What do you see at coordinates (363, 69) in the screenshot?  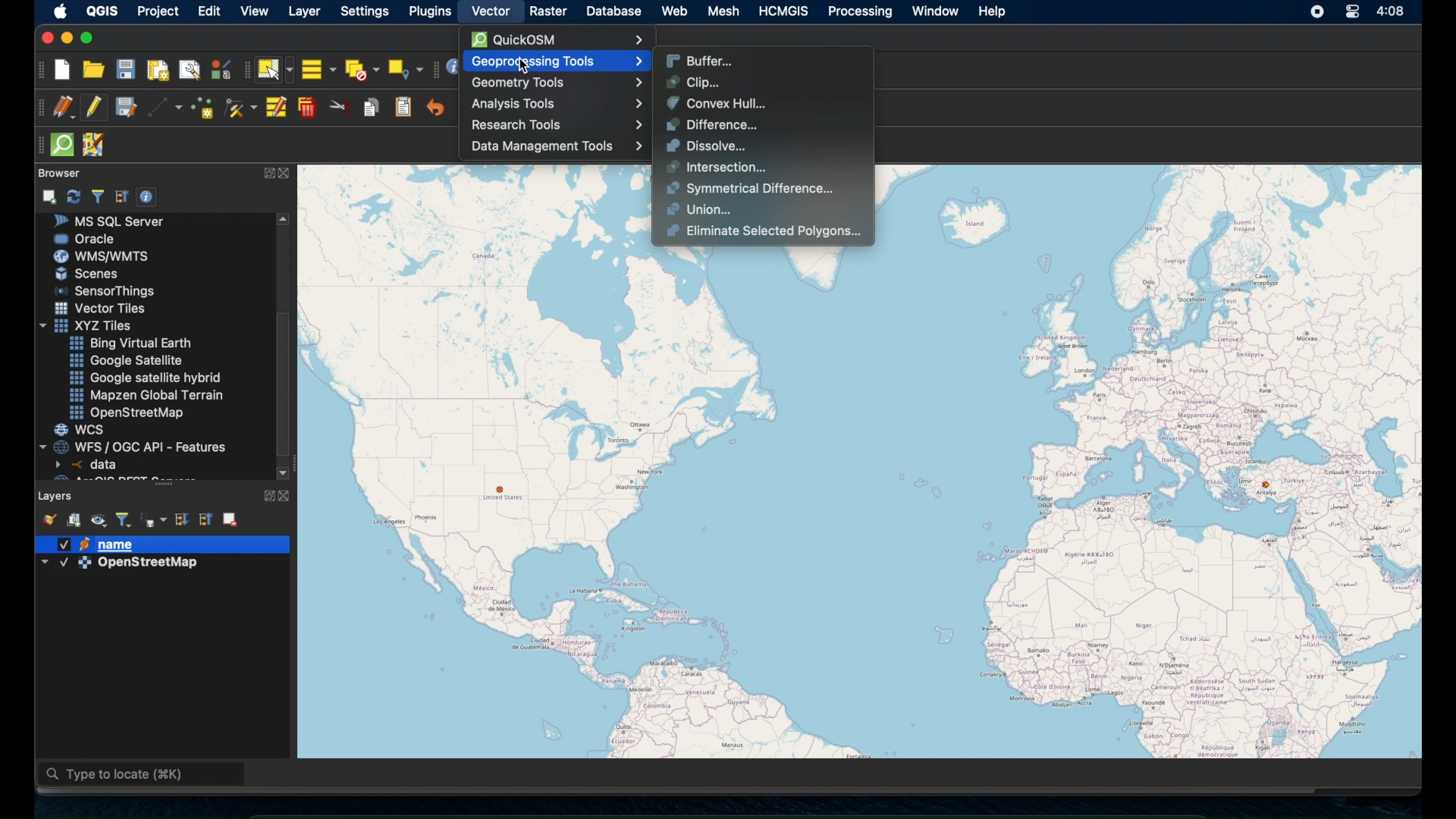 I see `deselect features form all layers` at bounding box center [363, 69].